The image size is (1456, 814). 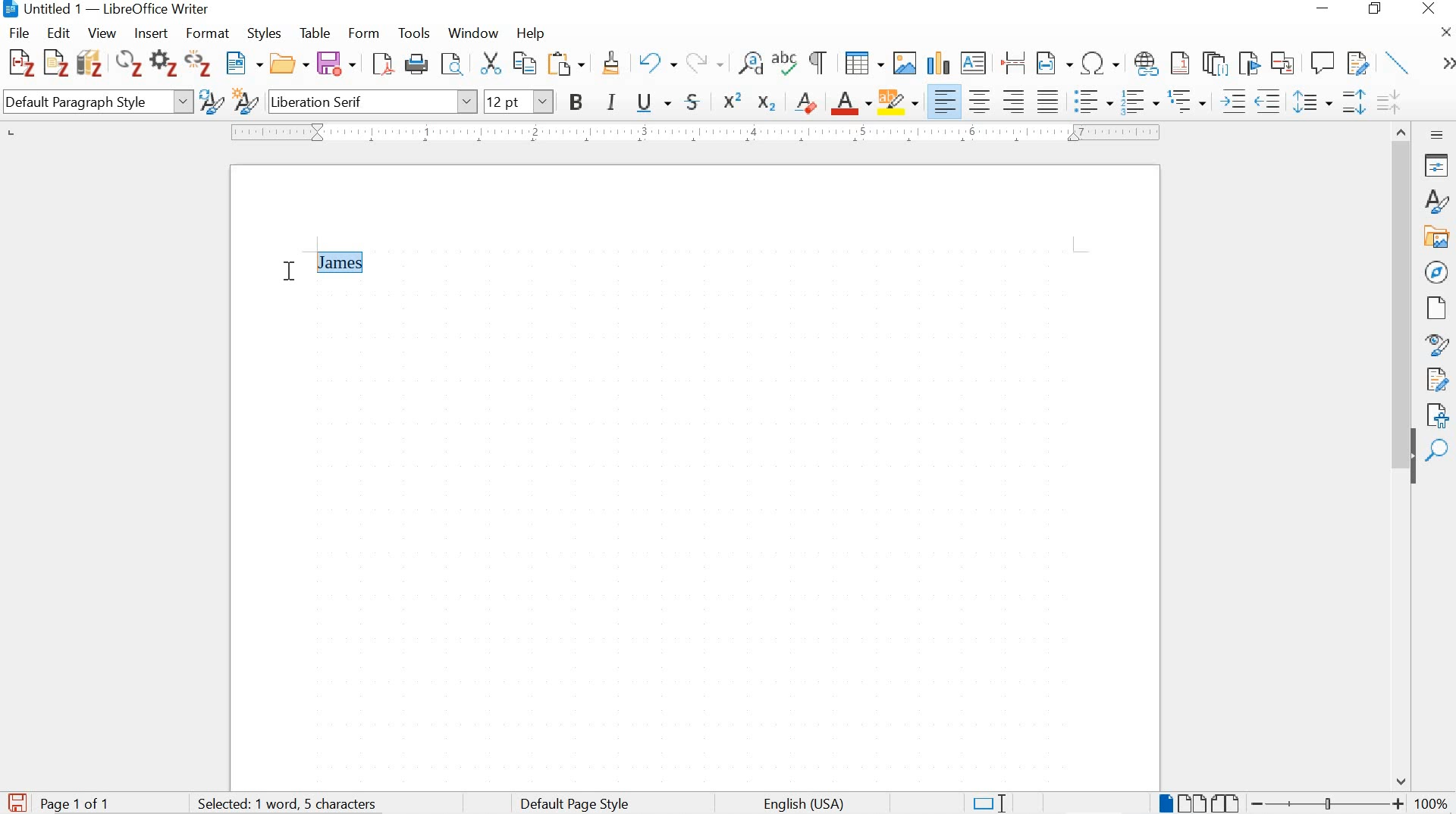 What do you see at coordinates (1432, 803) in the screenshot?
I see `zoom factor-100%` at bounding box center [1432, 803].